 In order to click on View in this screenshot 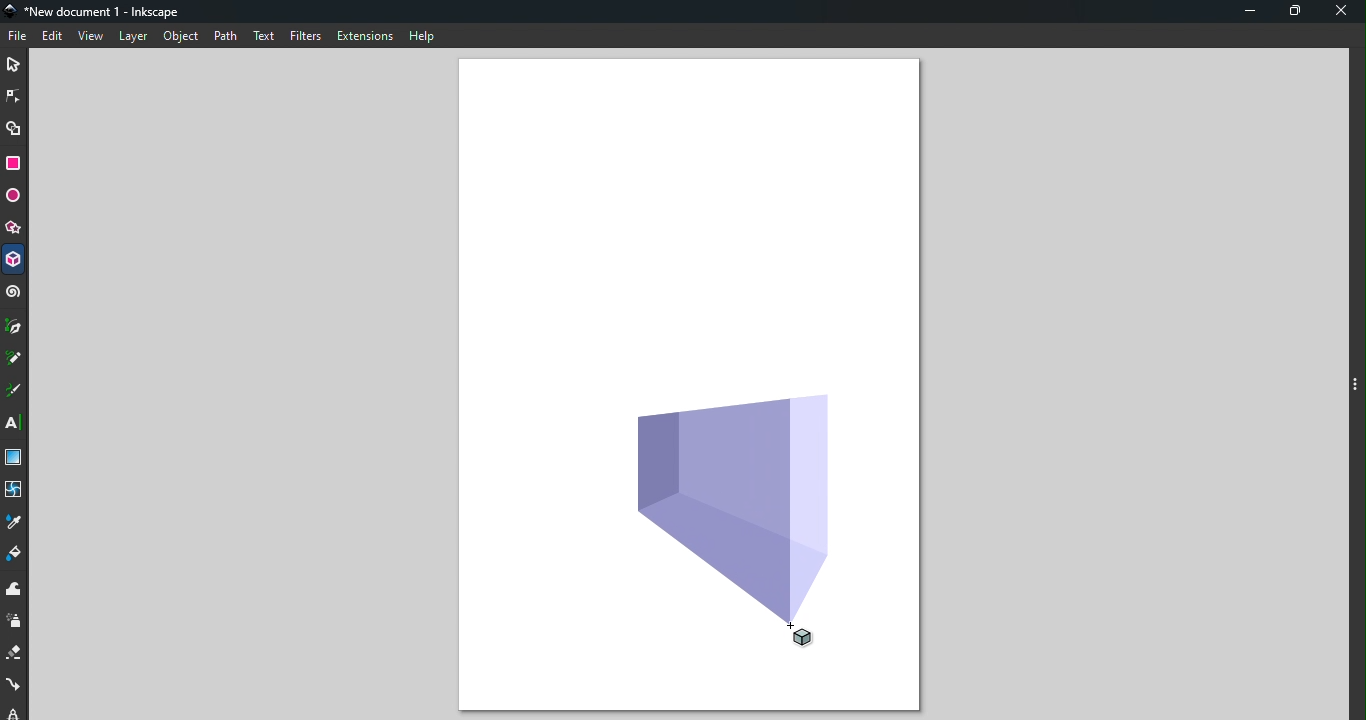, I will do `click(91, 36)`.